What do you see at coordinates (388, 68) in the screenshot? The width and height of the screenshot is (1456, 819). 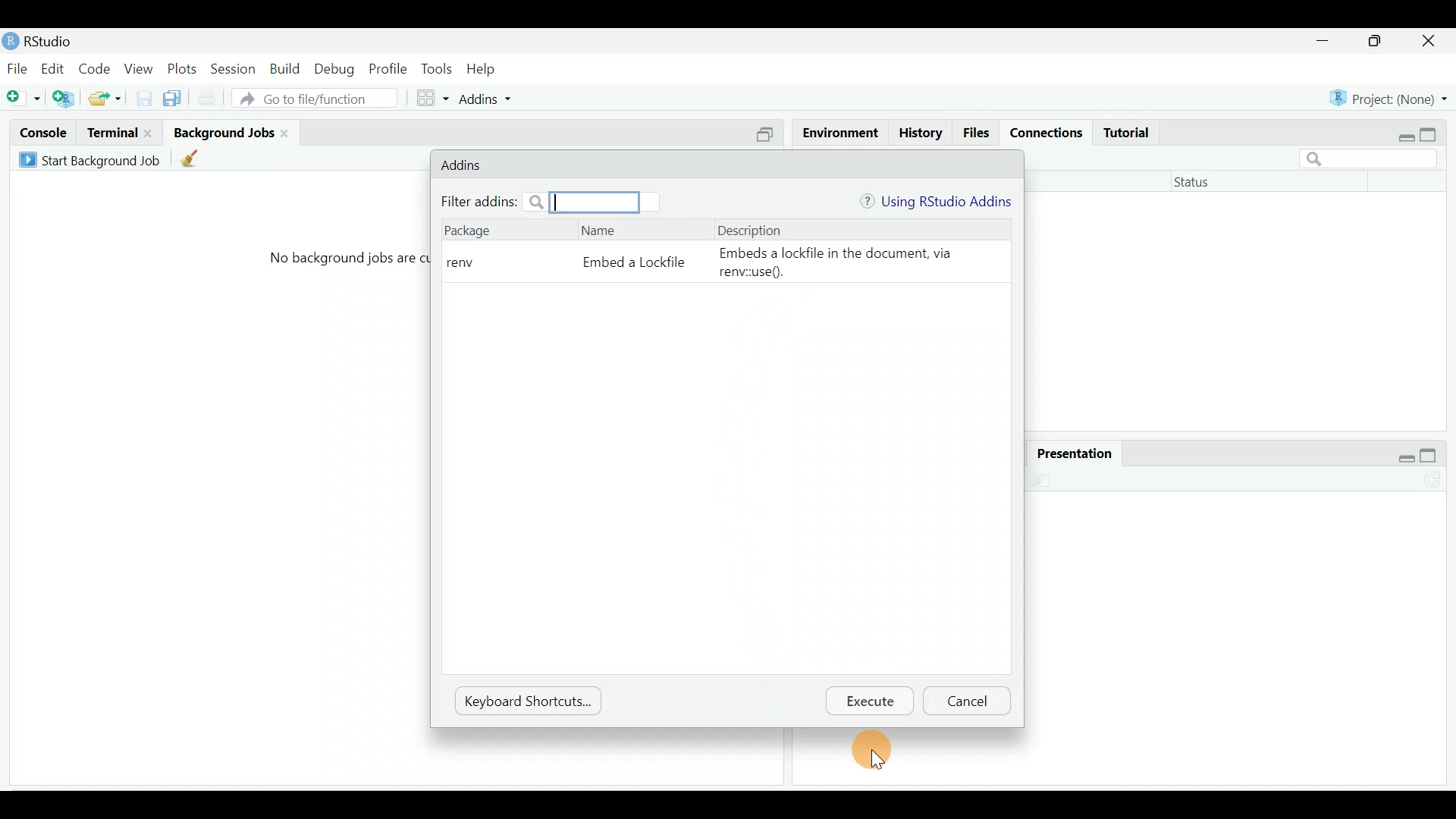 I see `Profile` at bounding box center [388, 68].